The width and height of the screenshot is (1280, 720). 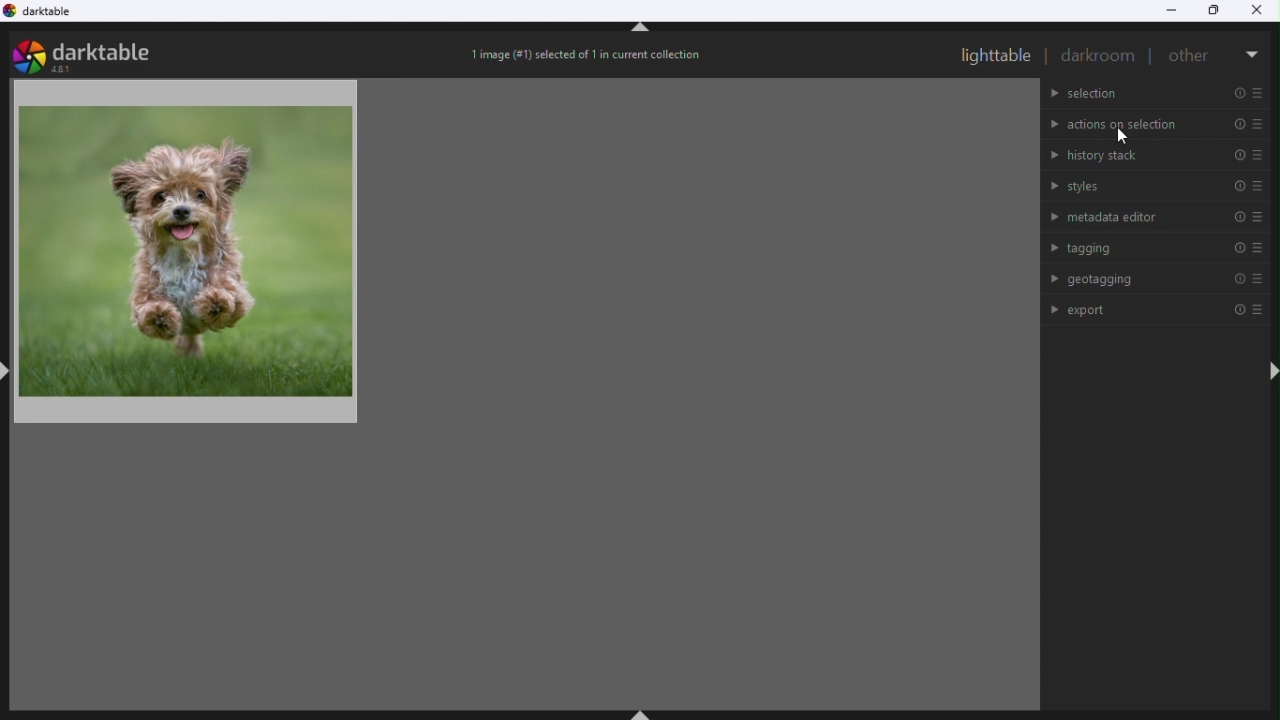 What do you see at coordinates (589, 59) in the screenshot?
I see `Image selection status` at bounding box center [589, 59].